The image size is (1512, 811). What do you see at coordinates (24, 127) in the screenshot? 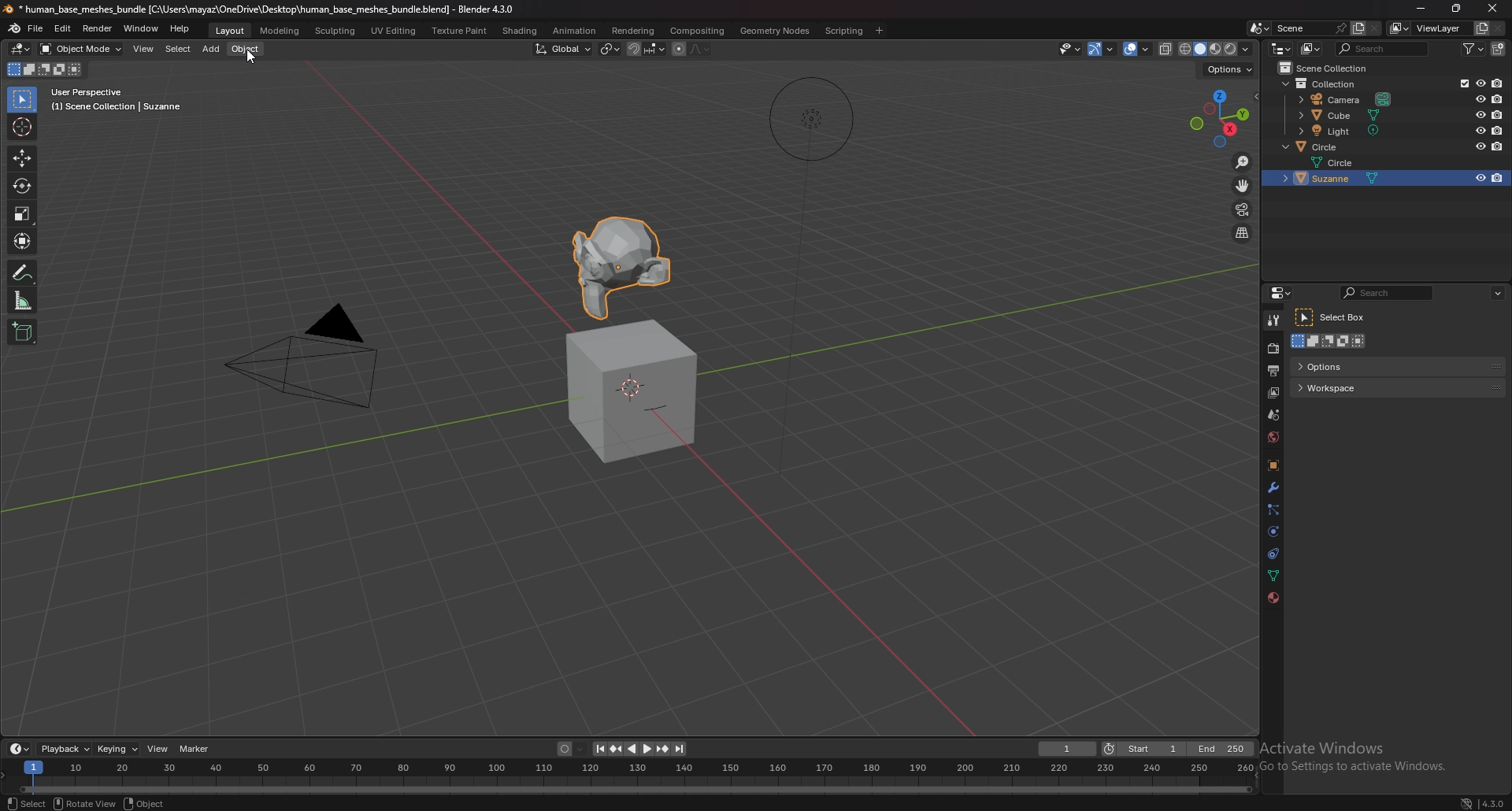
I see `cursor` at bounding box center [24, 127].